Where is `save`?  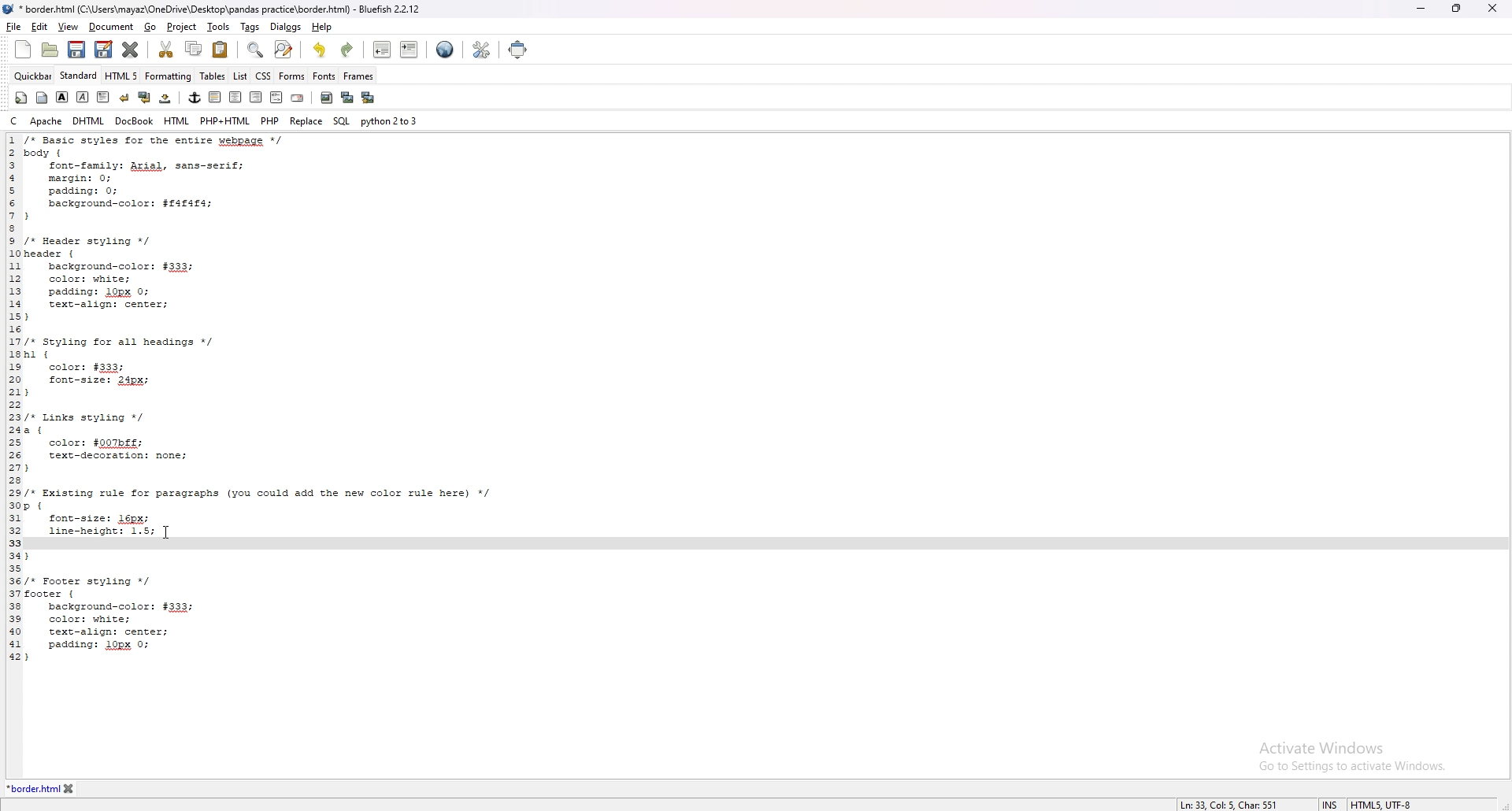 save is located at coordinates (77, 50).